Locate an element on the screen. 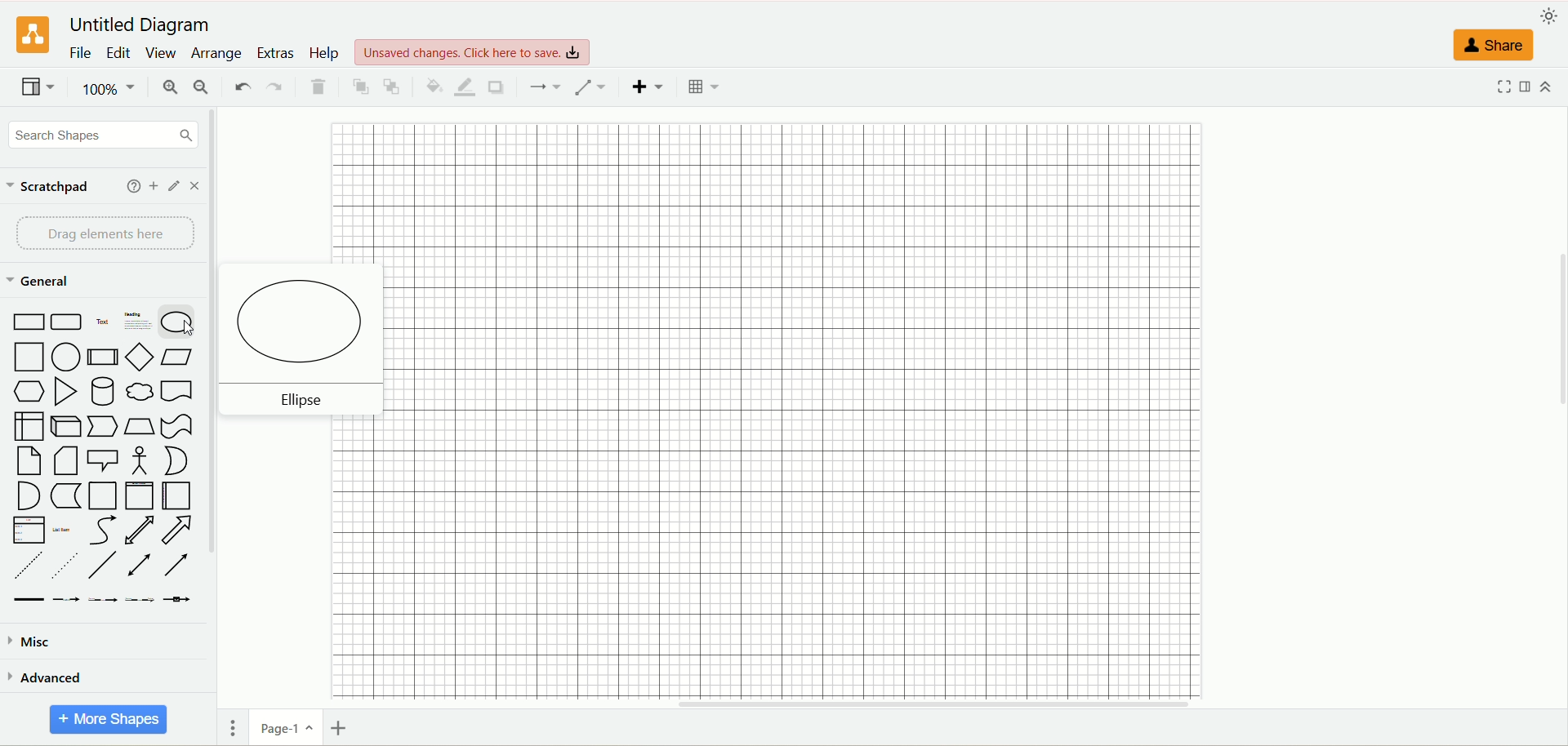 This screenshot has height=746, width=1568. view is located at coordinates (163, 51).